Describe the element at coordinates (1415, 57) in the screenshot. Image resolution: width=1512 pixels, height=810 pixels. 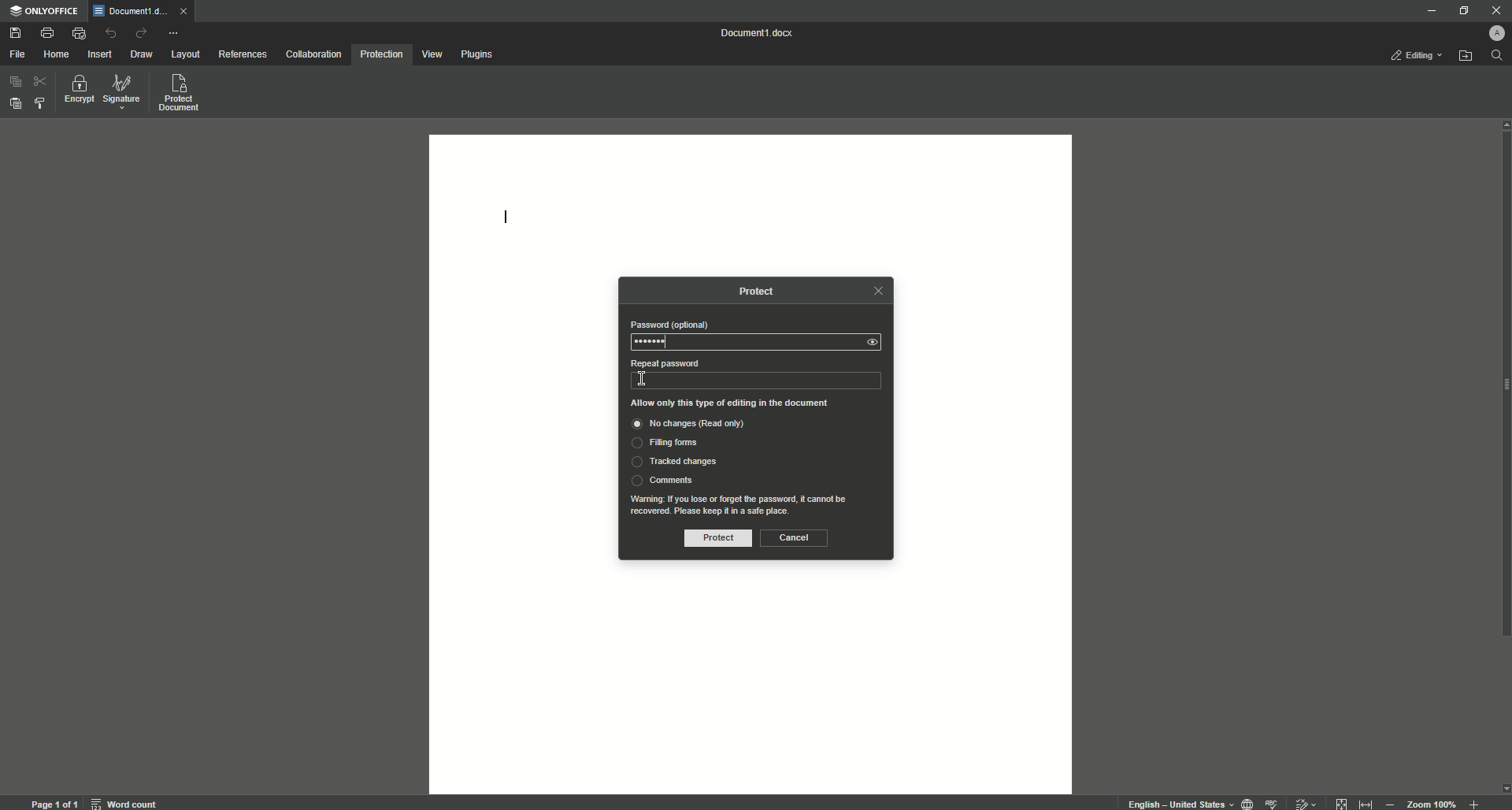
I see `Editing` at that location.